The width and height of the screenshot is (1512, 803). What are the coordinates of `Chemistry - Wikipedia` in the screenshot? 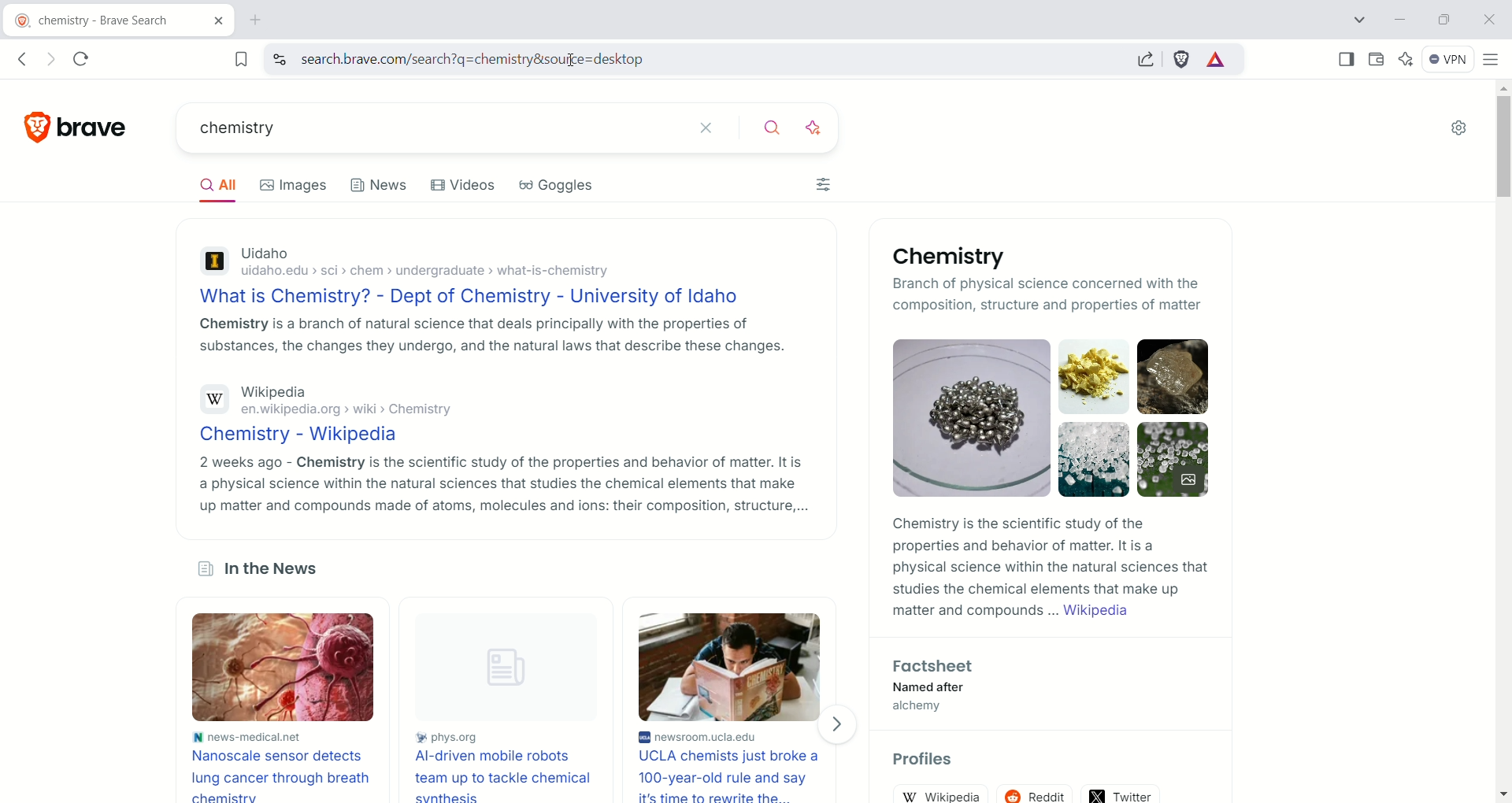 It's located at (305, 435).